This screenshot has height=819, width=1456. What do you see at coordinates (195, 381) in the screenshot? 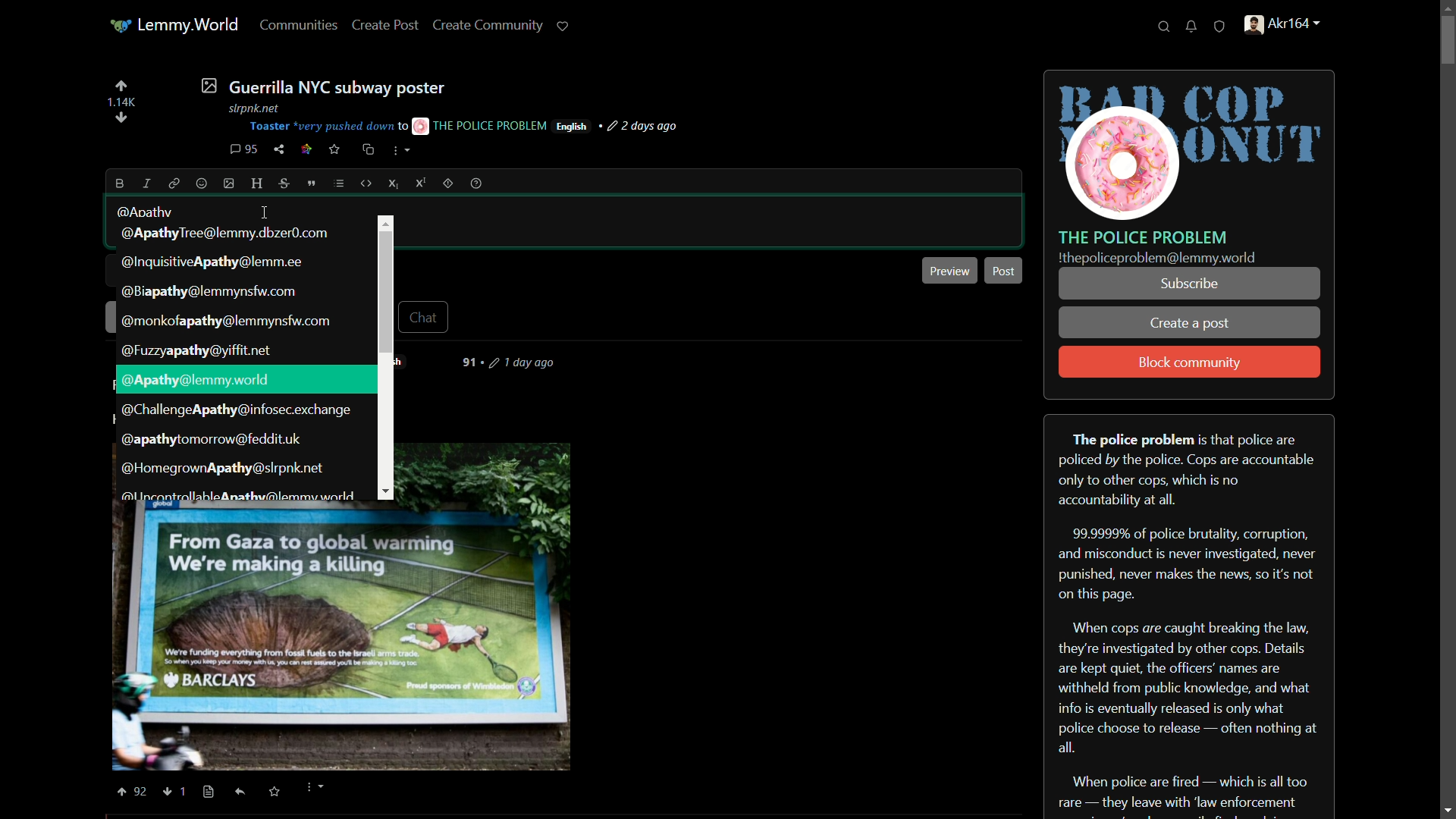
I see `username` at bounding box center [195, 381].